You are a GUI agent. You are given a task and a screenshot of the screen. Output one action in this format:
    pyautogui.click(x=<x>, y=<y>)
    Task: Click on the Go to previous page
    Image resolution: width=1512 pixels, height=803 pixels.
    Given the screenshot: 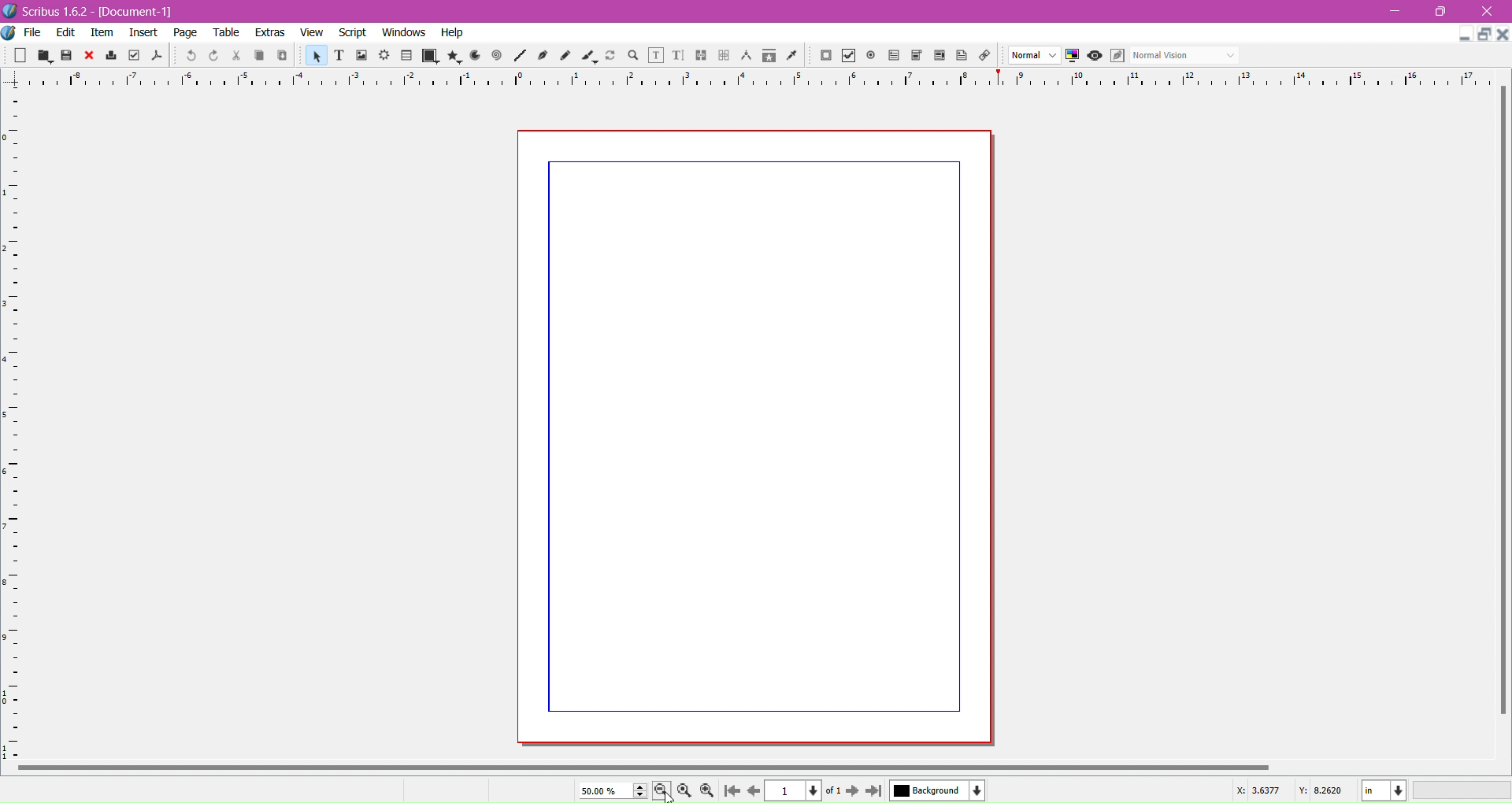 What is the action you would take?
    pyautogui.click(x=751, y=791)
    